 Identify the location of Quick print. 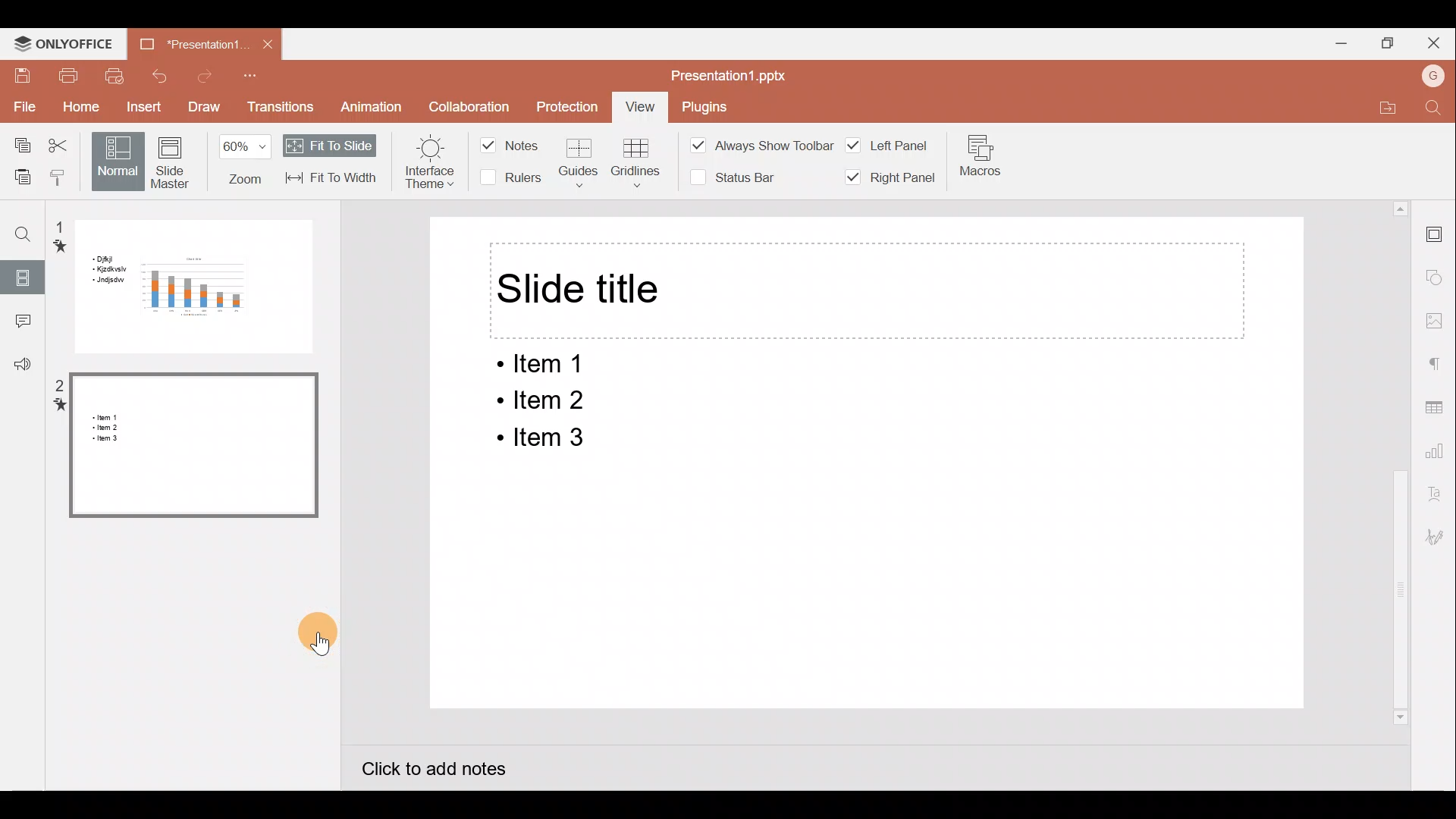
(115, 78).